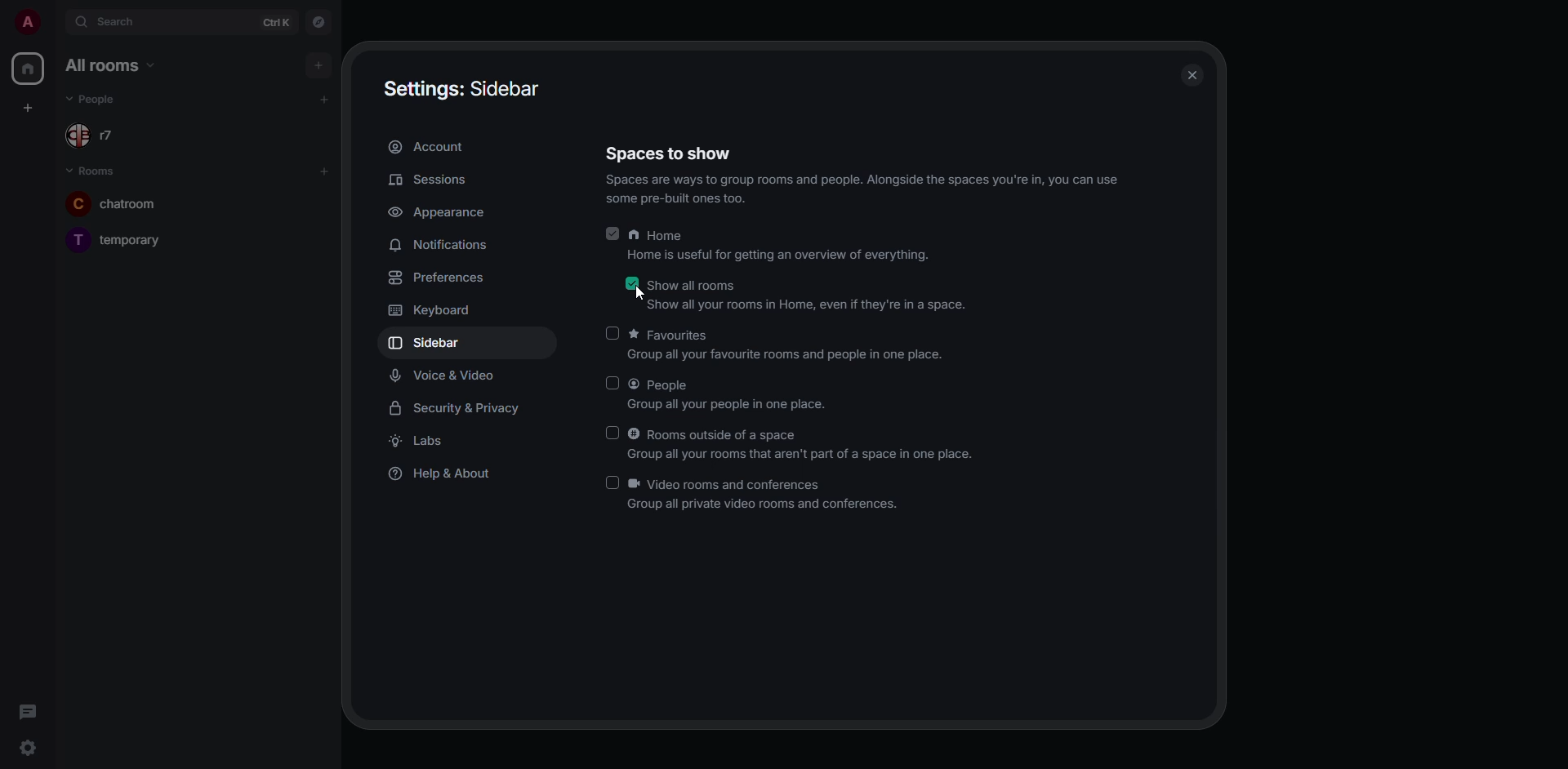 The image size is (1568, 769). What do you see at coordinates (768, 494) in the screenshot?
I see `video rooms and conferences` at bounding box center [768, 494].